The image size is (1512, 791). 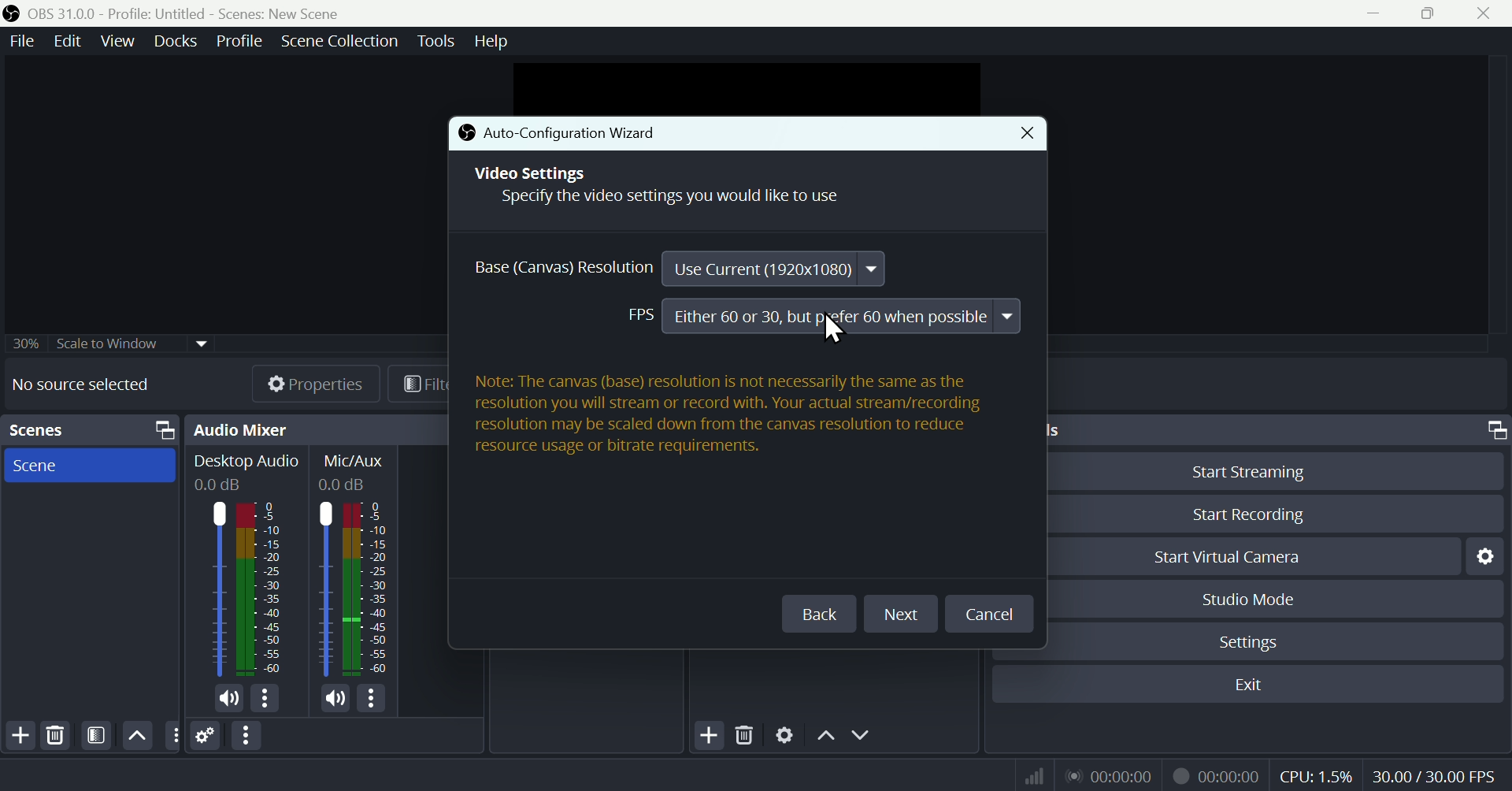 I want to click on FPS, so click(x=638, y=316).